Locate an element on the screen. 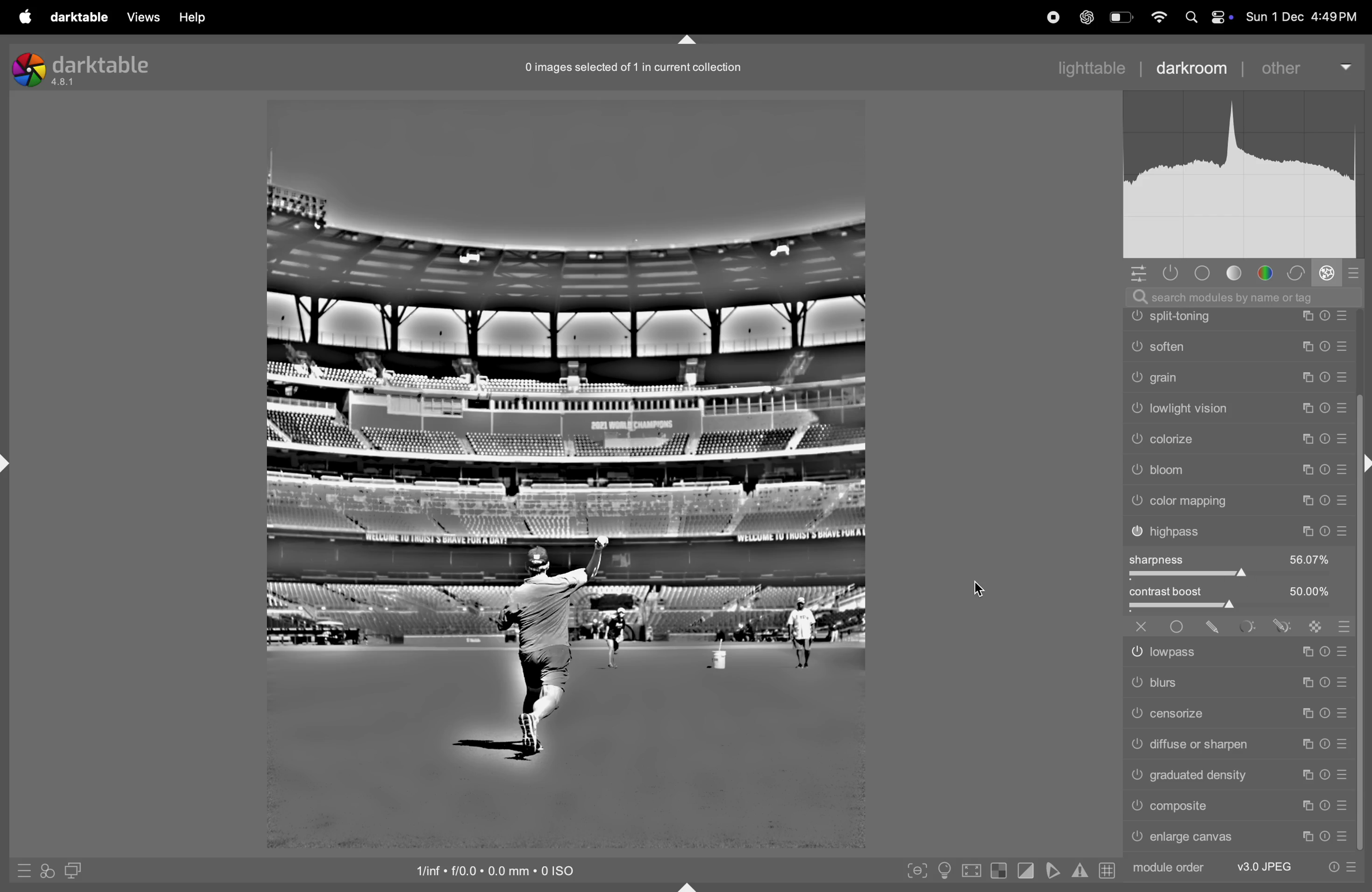 The width and height of the screenshot is (1372, 892). farming is located at coordinates (1238, 346).